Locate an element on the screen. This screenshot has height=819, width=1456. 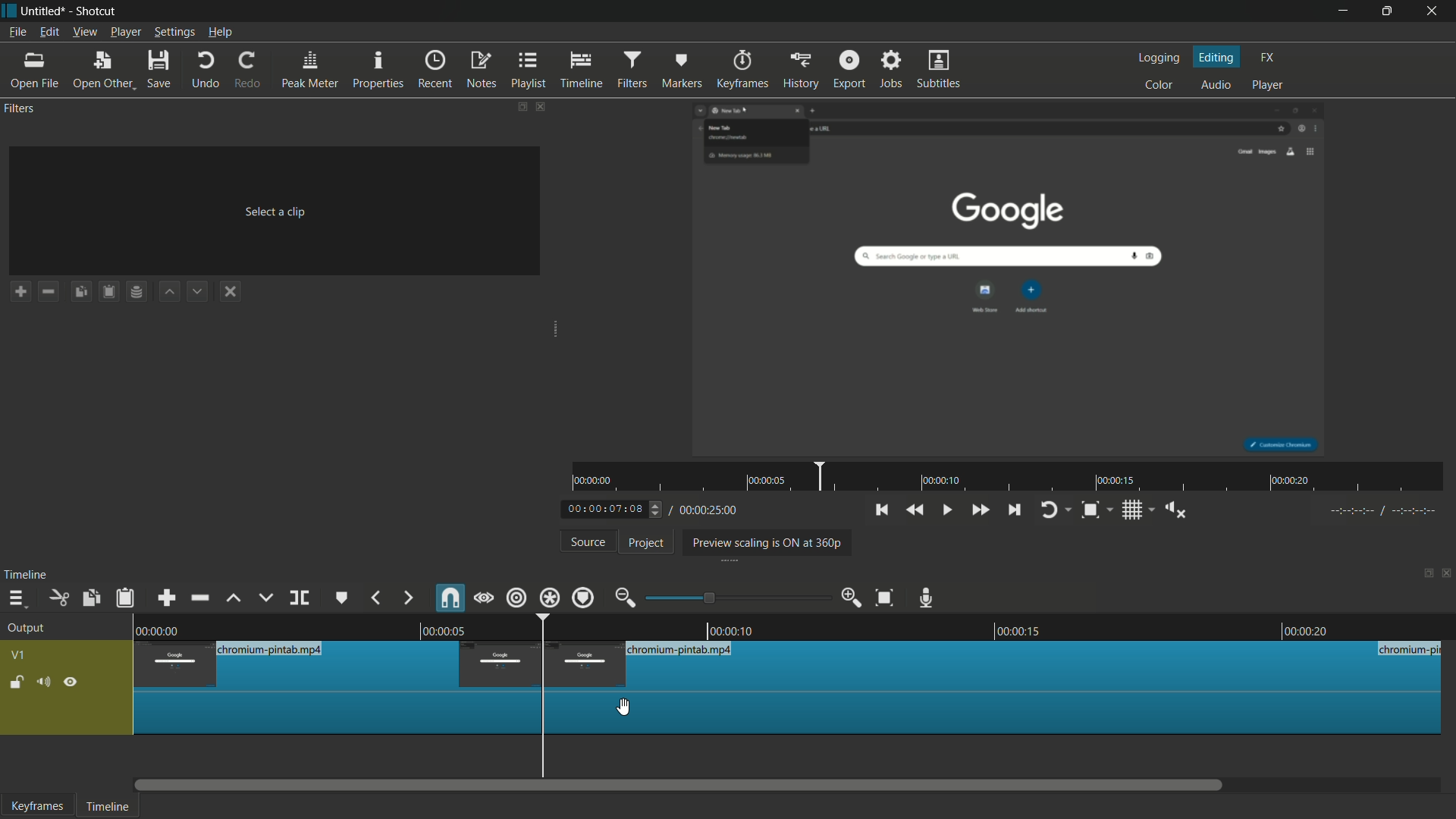
deselect a filter is located at coordinates (230, 291).